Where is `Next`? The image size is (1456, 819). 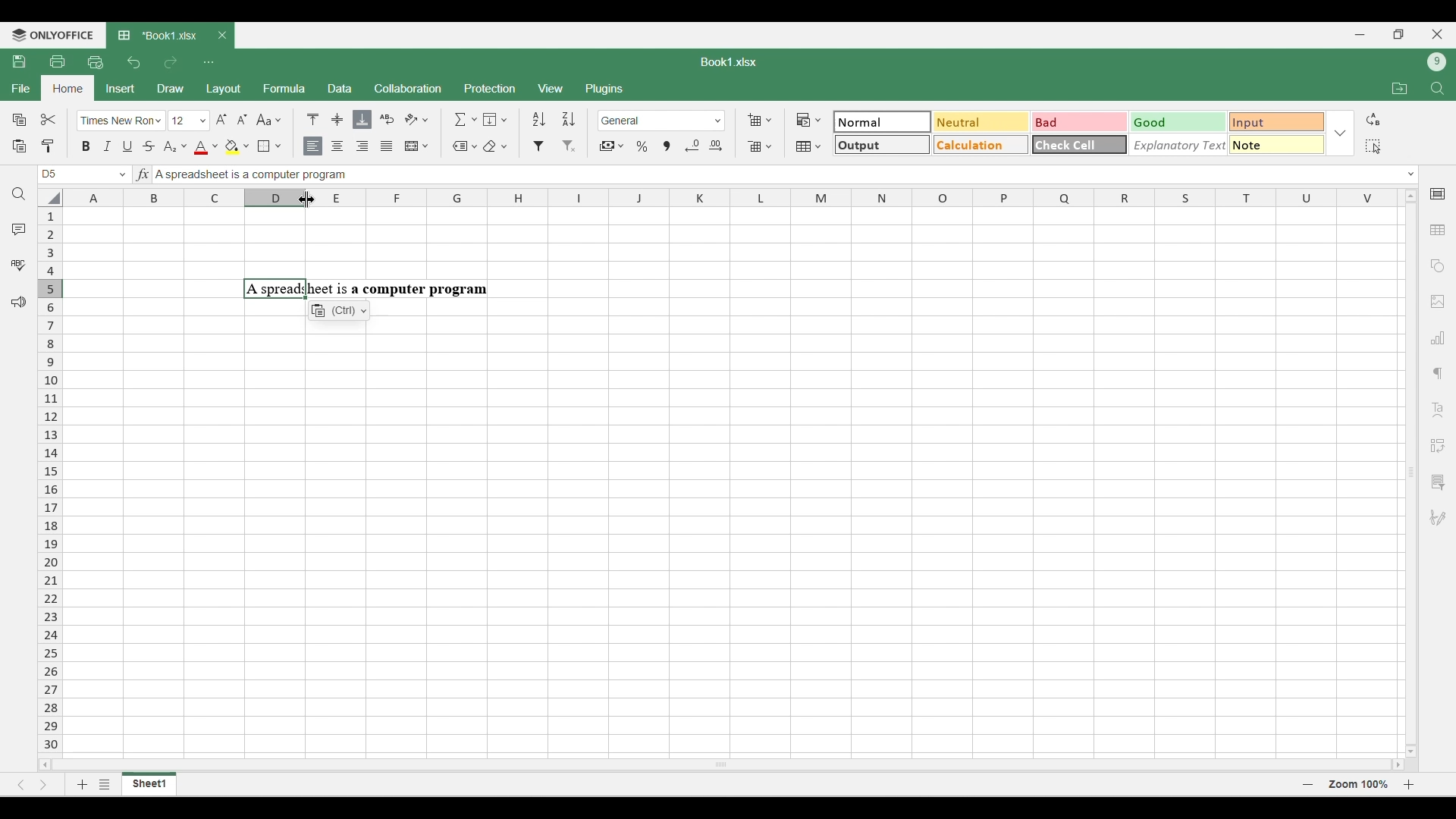
Next is located at coordinates (44, 784).